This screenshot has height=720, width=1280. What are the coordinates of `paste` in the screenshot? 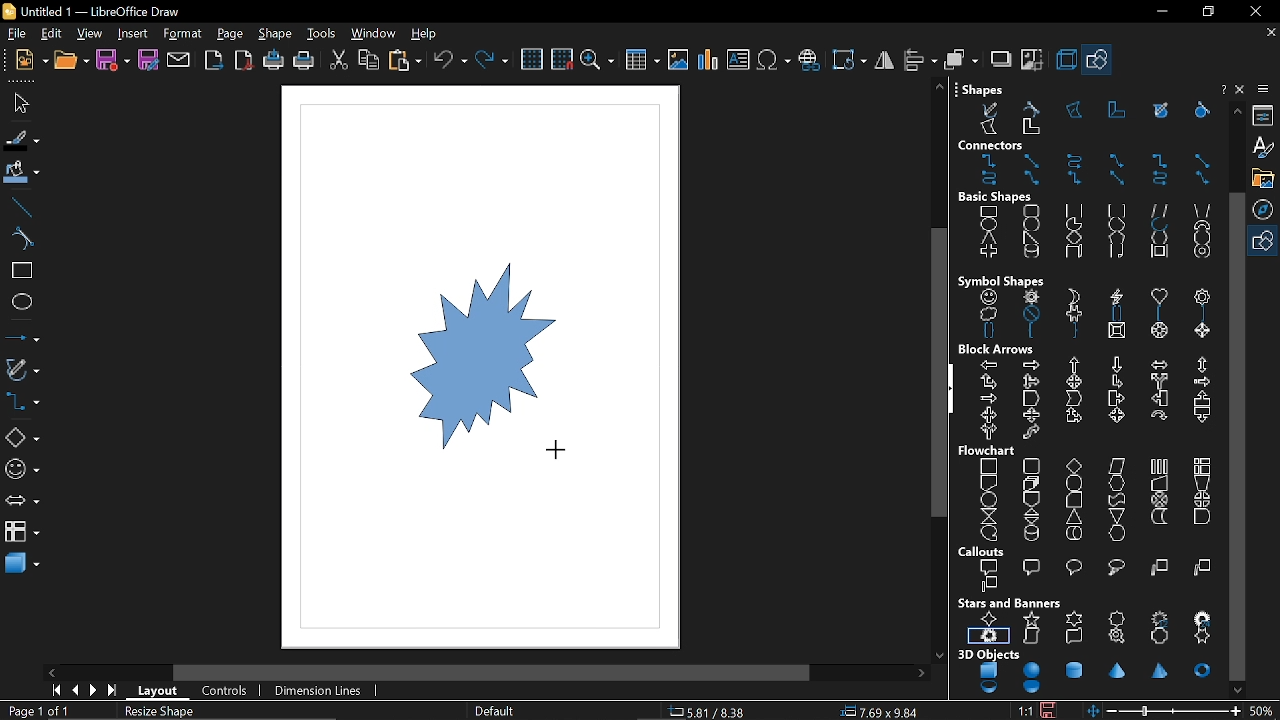 It's located at (404, 60).